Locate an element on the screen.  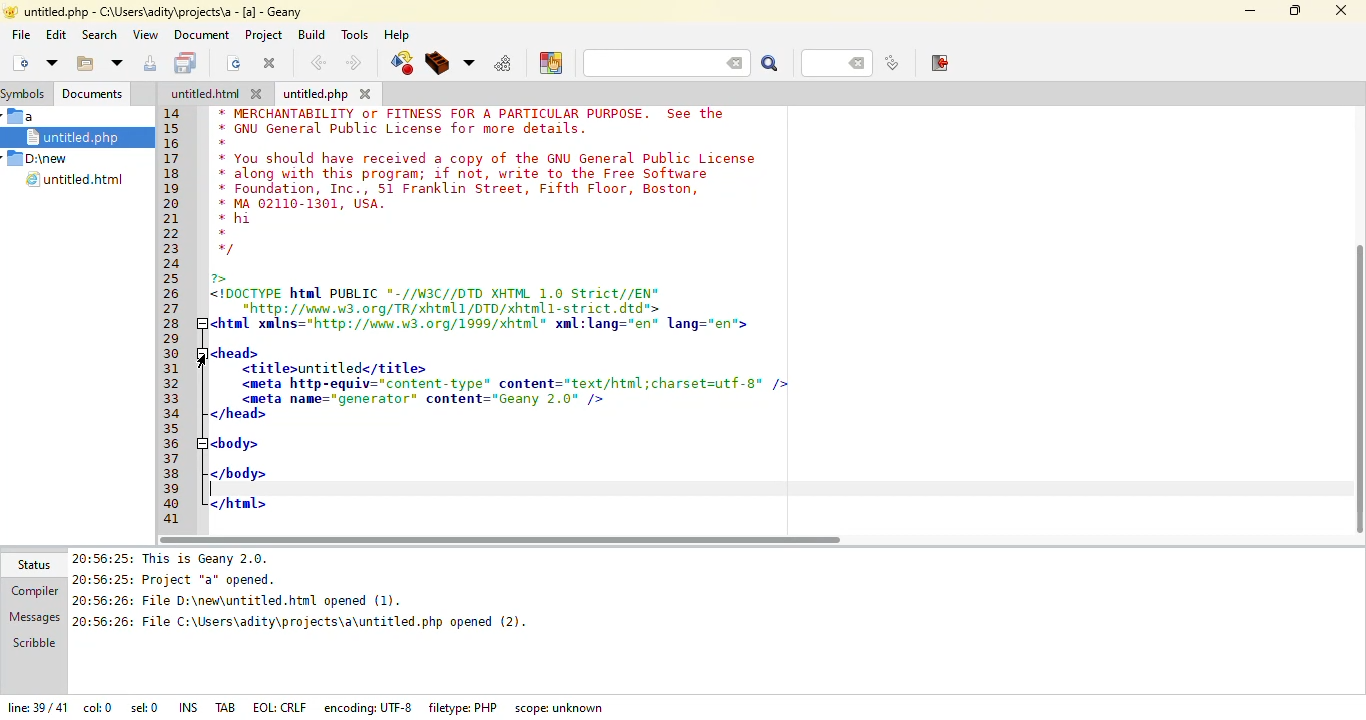
close is located at coordinates (365, 94).